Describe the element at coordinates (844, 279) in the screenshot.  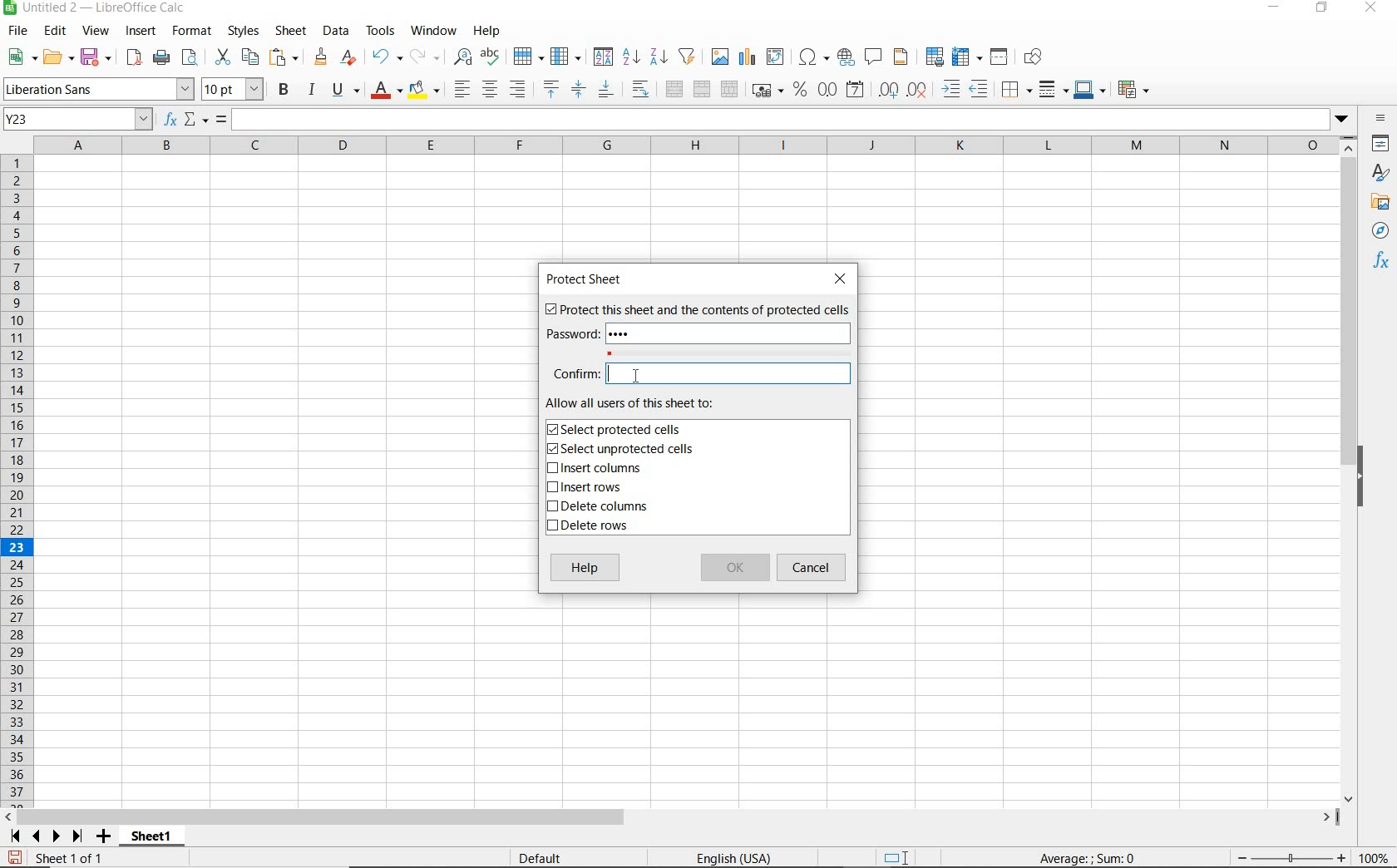
I see `CLOSE` at that location.